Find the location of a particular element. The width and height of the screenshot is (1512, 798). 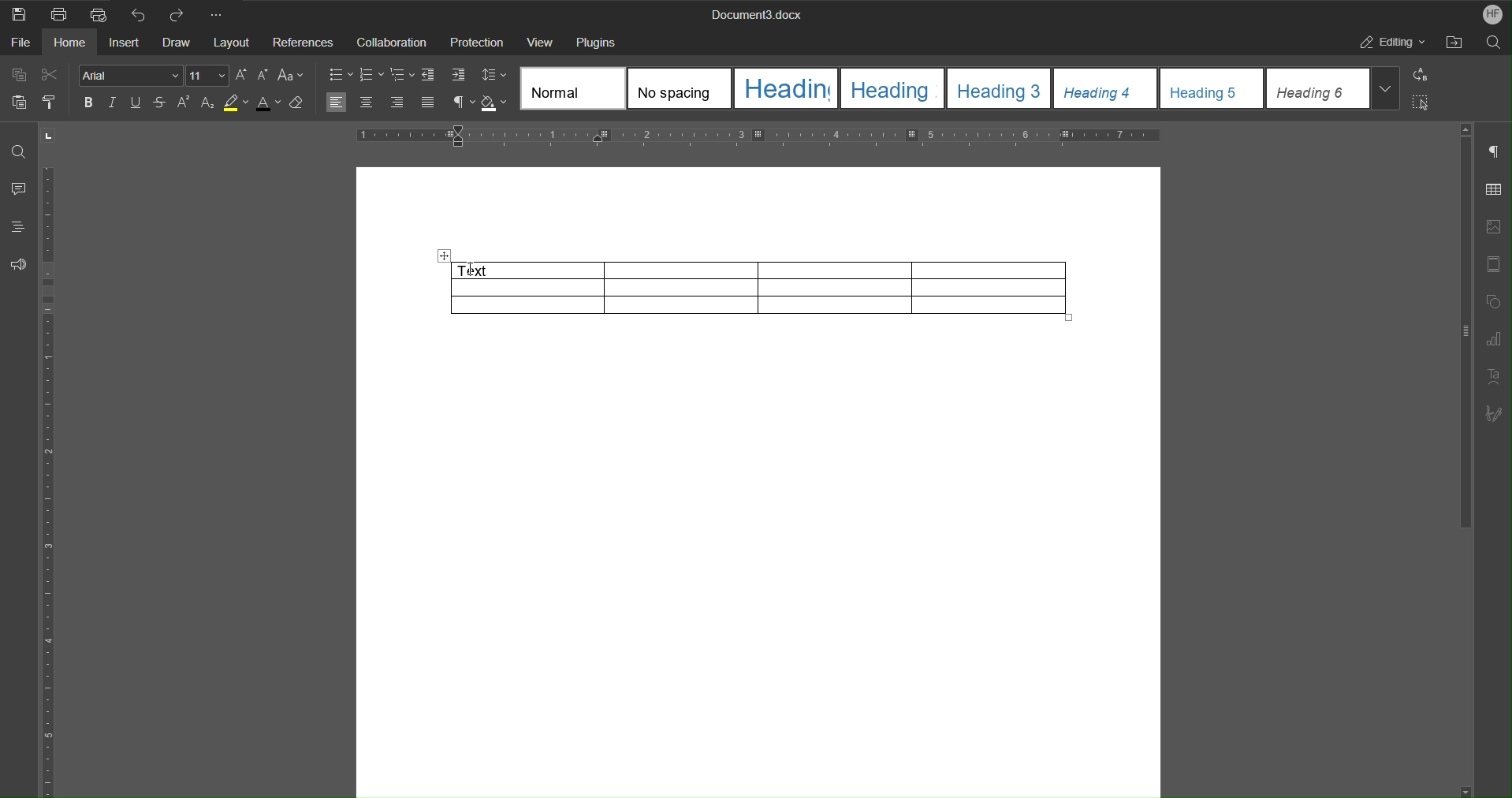

insertion cursor is located at coordinates (472, 268).